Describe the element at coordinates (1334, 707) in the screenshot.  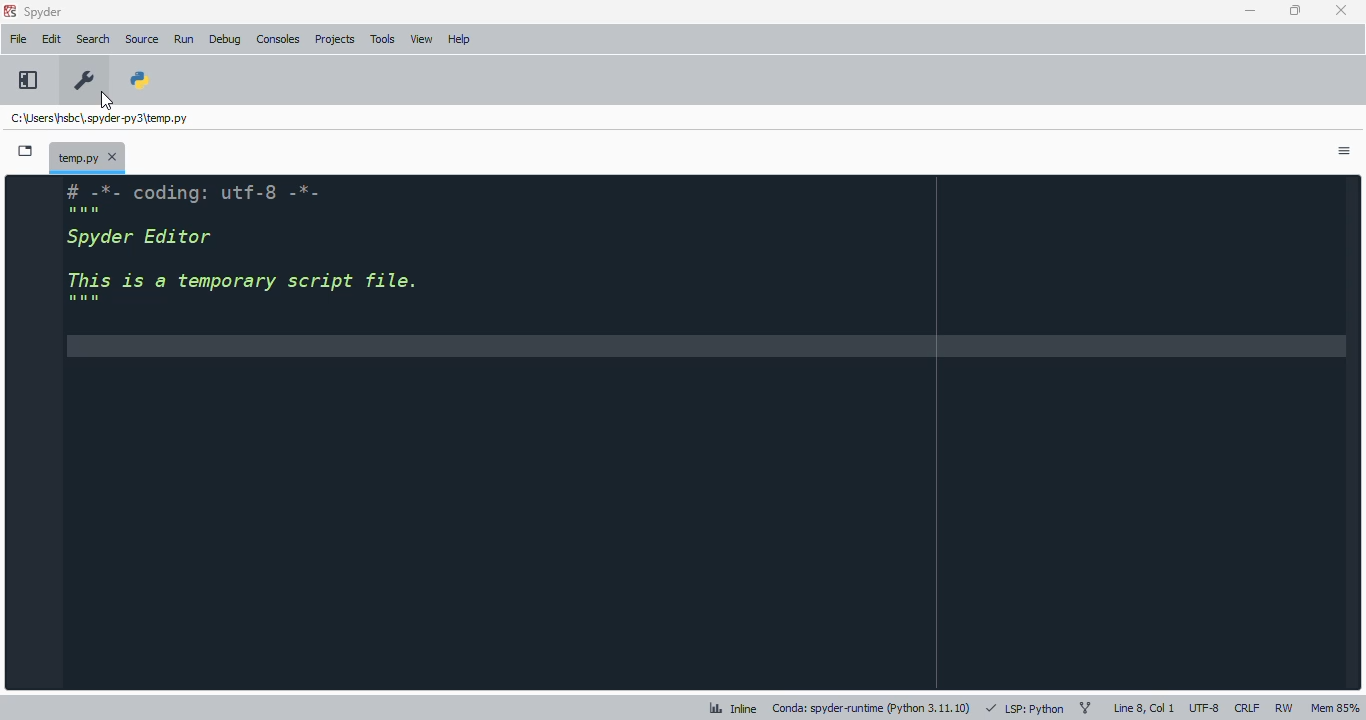
I see `Mem 85%` at that location.